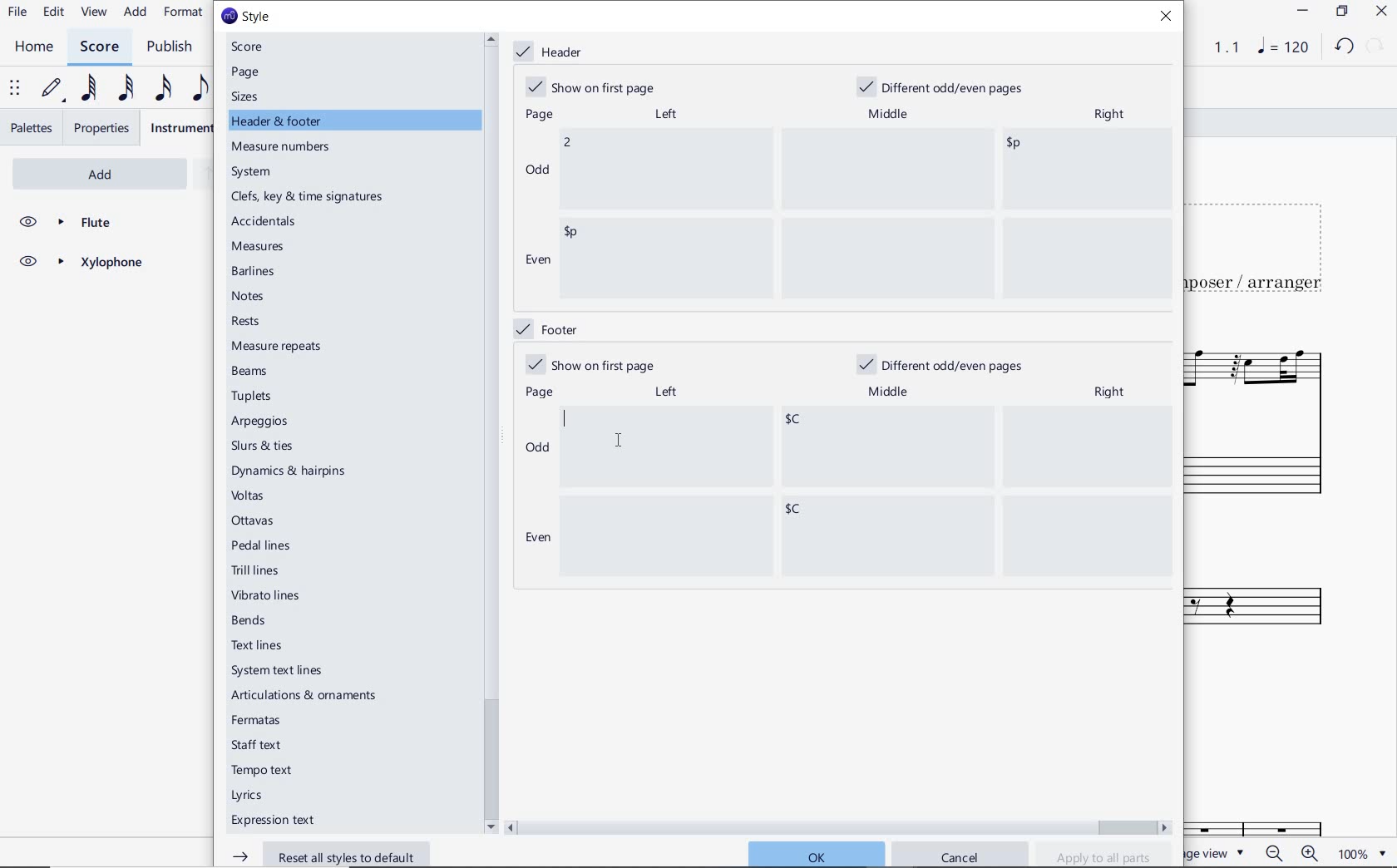 The image size is (1397, 868). I want to click on staff text, so click(258, 745).